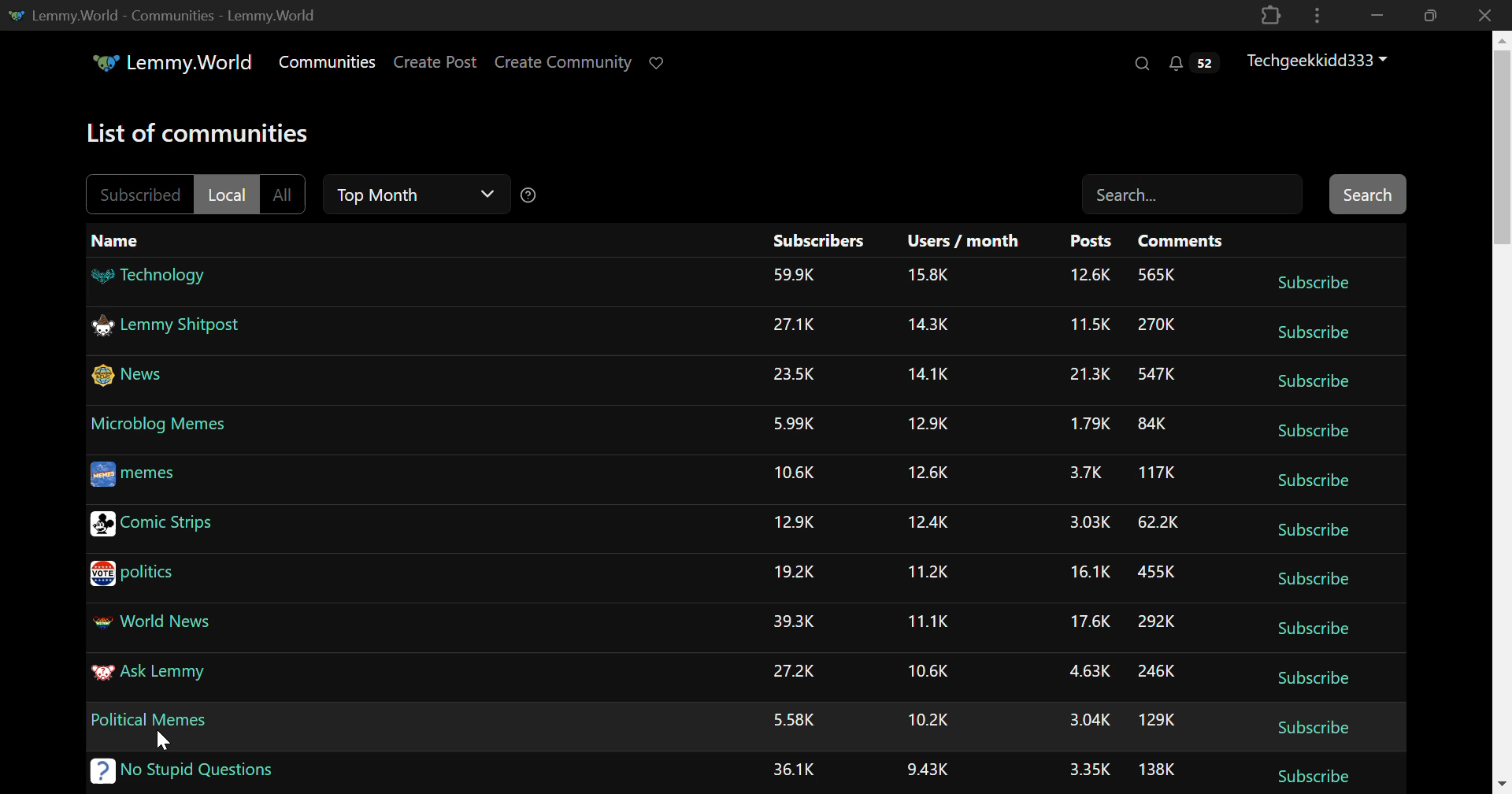  Describe the element at coordinates (932, 671) in the screenshot. I see `` at that location.